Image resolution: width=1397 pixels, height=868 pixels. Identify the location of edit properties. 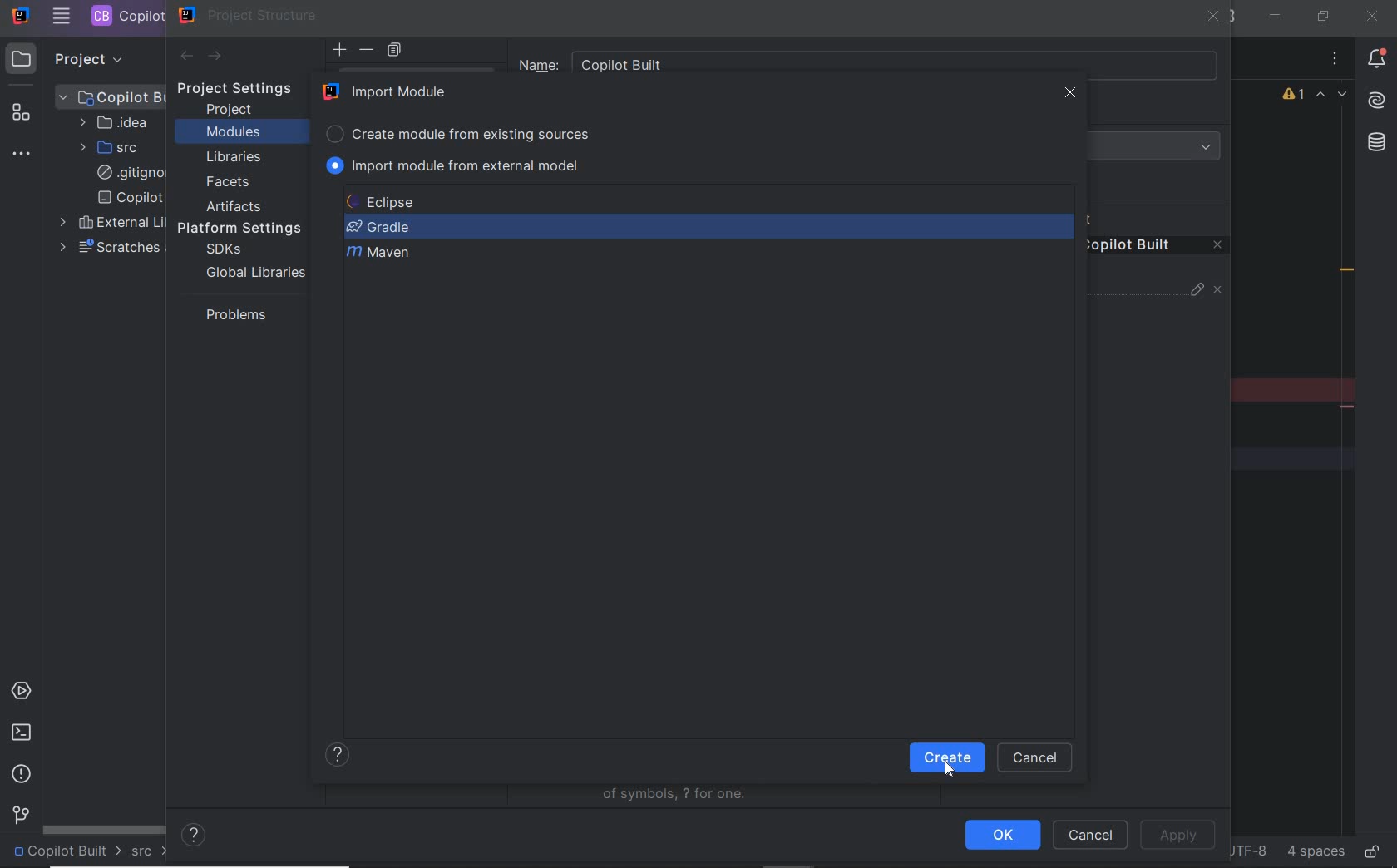
(1198, 293).